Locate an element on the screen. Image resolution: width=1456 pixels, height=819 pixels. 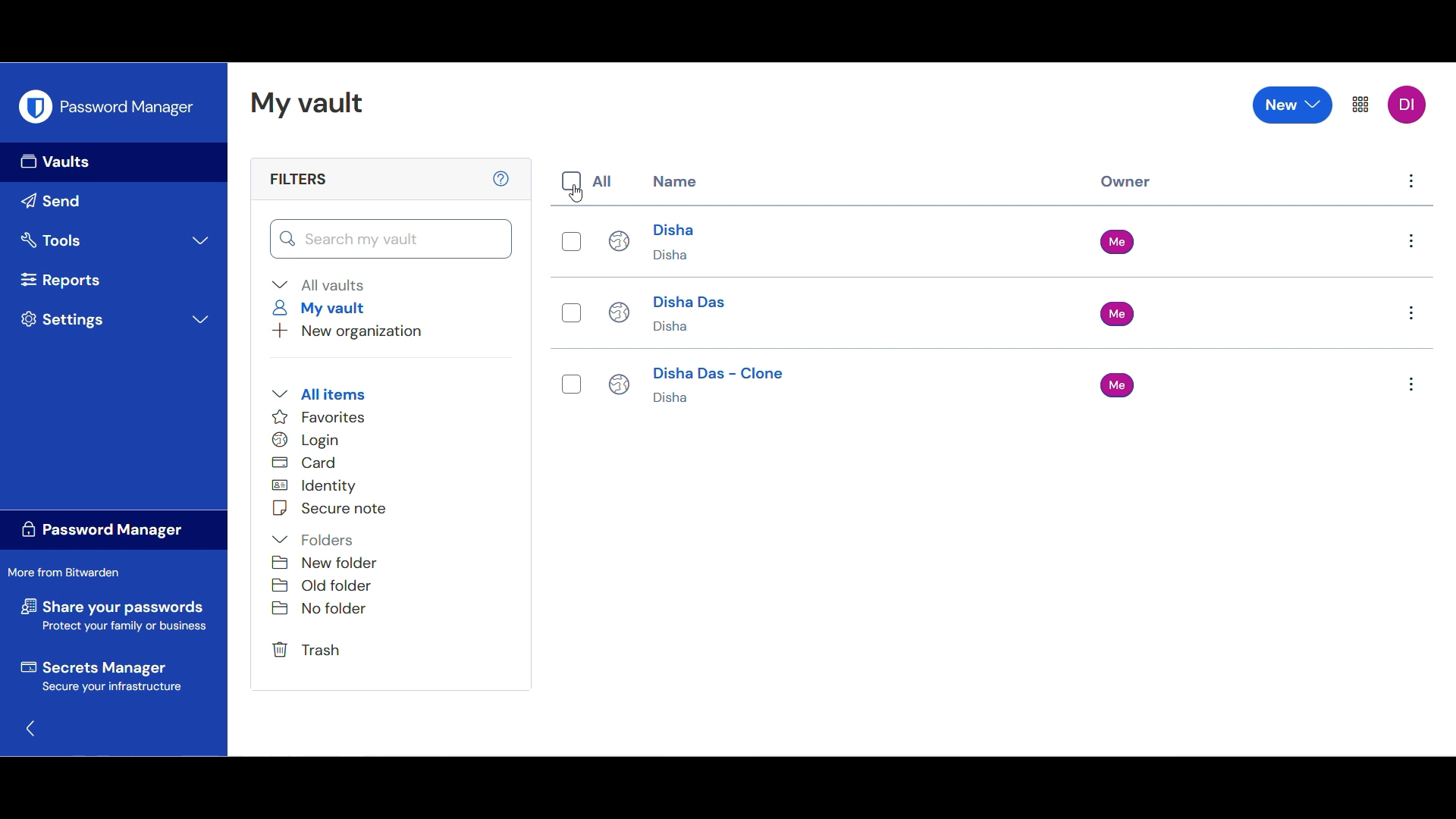
Favorites is located at coordinates (319, 417).